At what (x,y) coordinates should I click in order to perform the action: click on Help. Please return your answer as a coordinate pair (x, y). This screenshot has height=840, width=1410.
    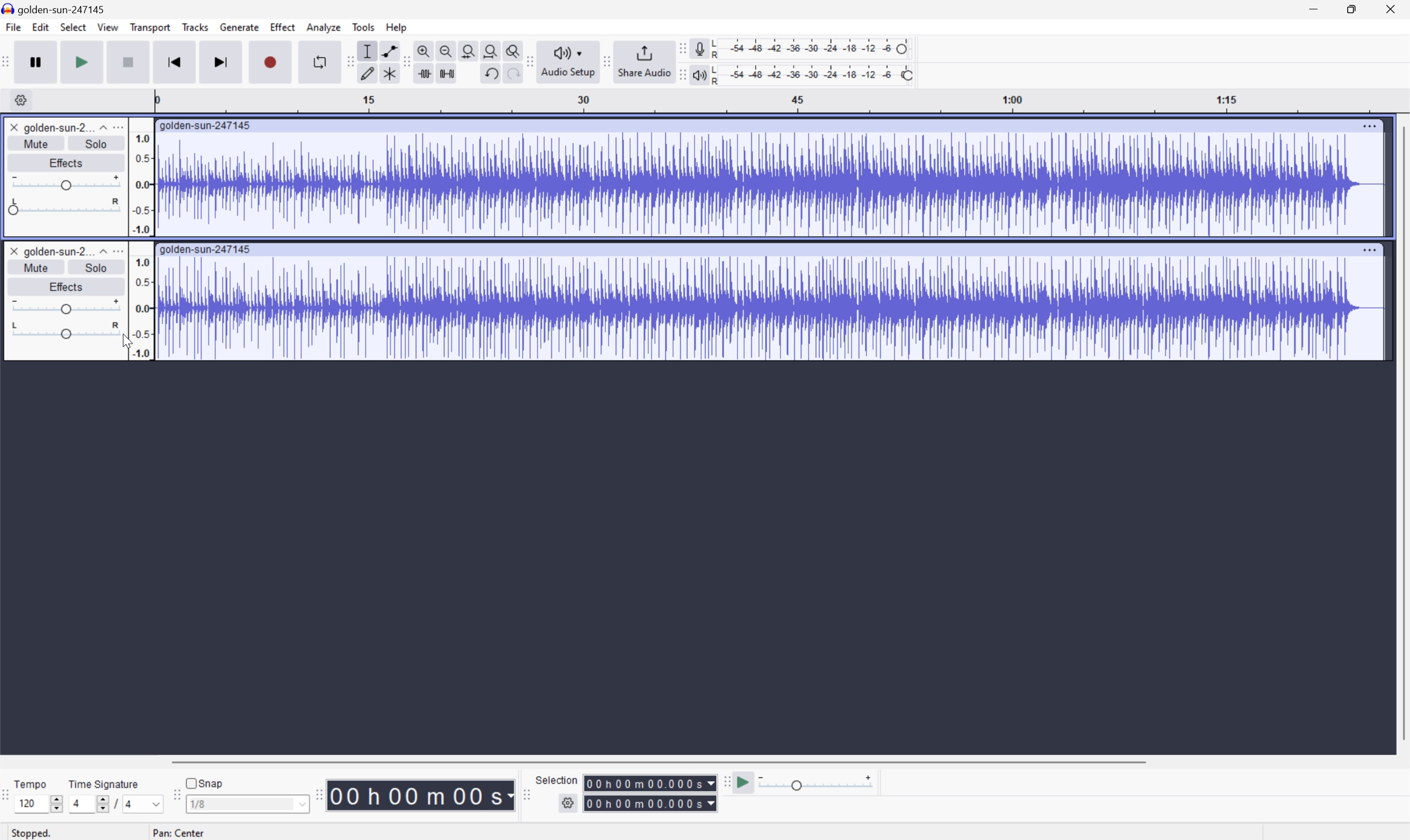
    Looking at the image, I should click on (398, 27).